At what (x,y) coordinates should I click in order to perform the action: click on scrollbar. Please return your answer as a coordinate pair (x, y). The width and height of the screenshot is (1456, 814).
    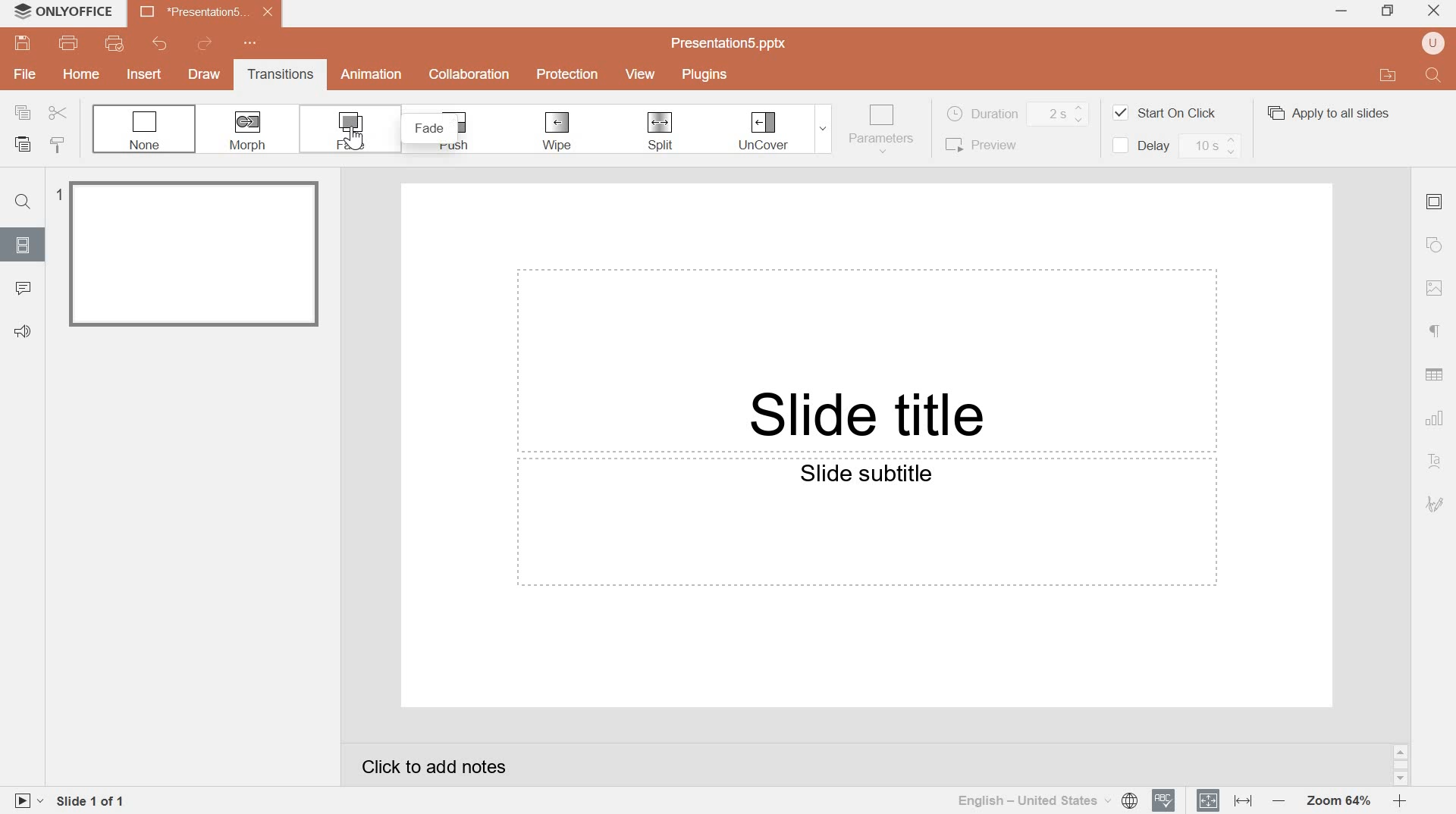
    Looking at the image, I should click on (1401, 765).